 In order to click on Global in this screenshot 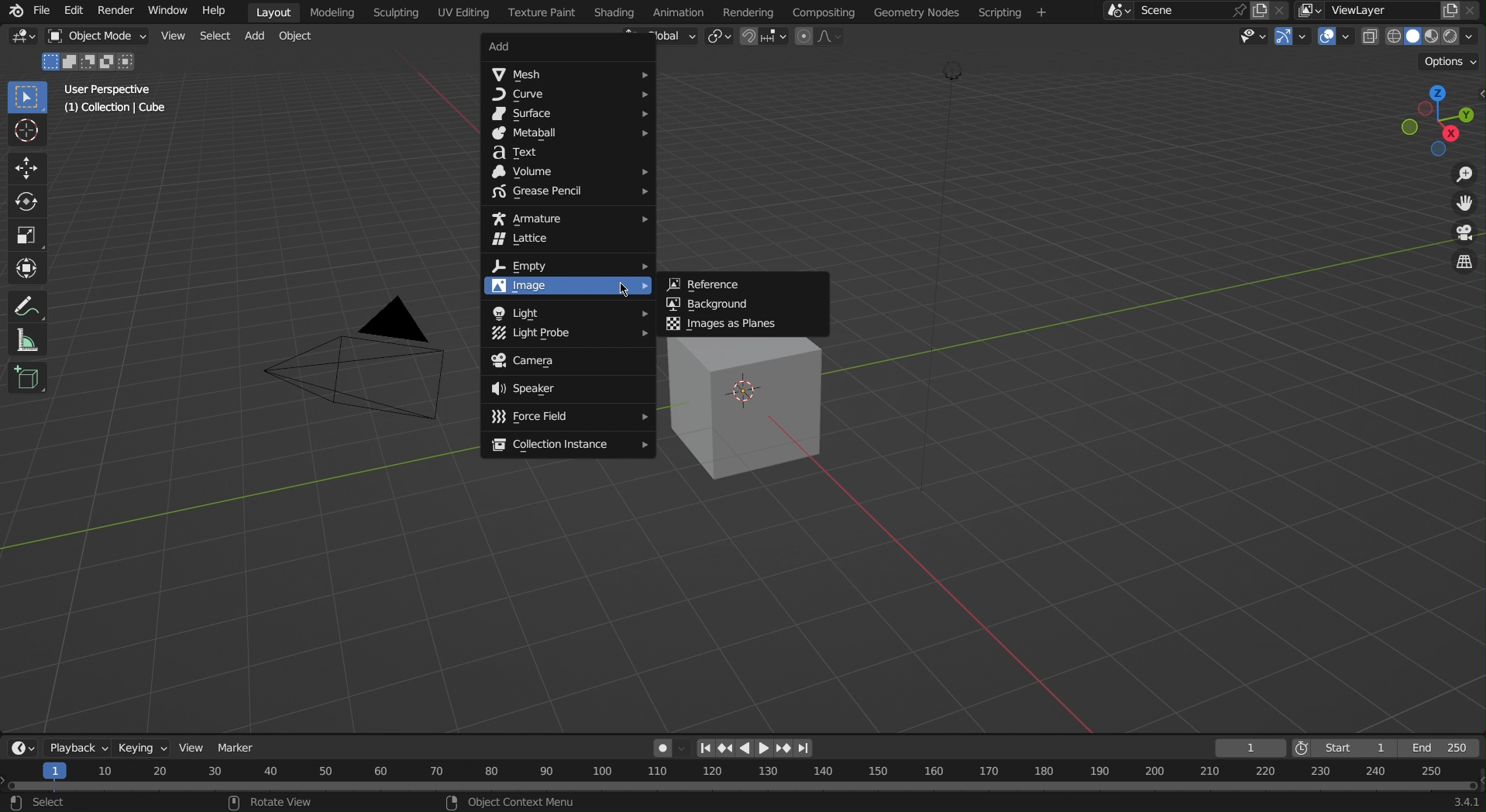, I will do `click(666, 37)`.